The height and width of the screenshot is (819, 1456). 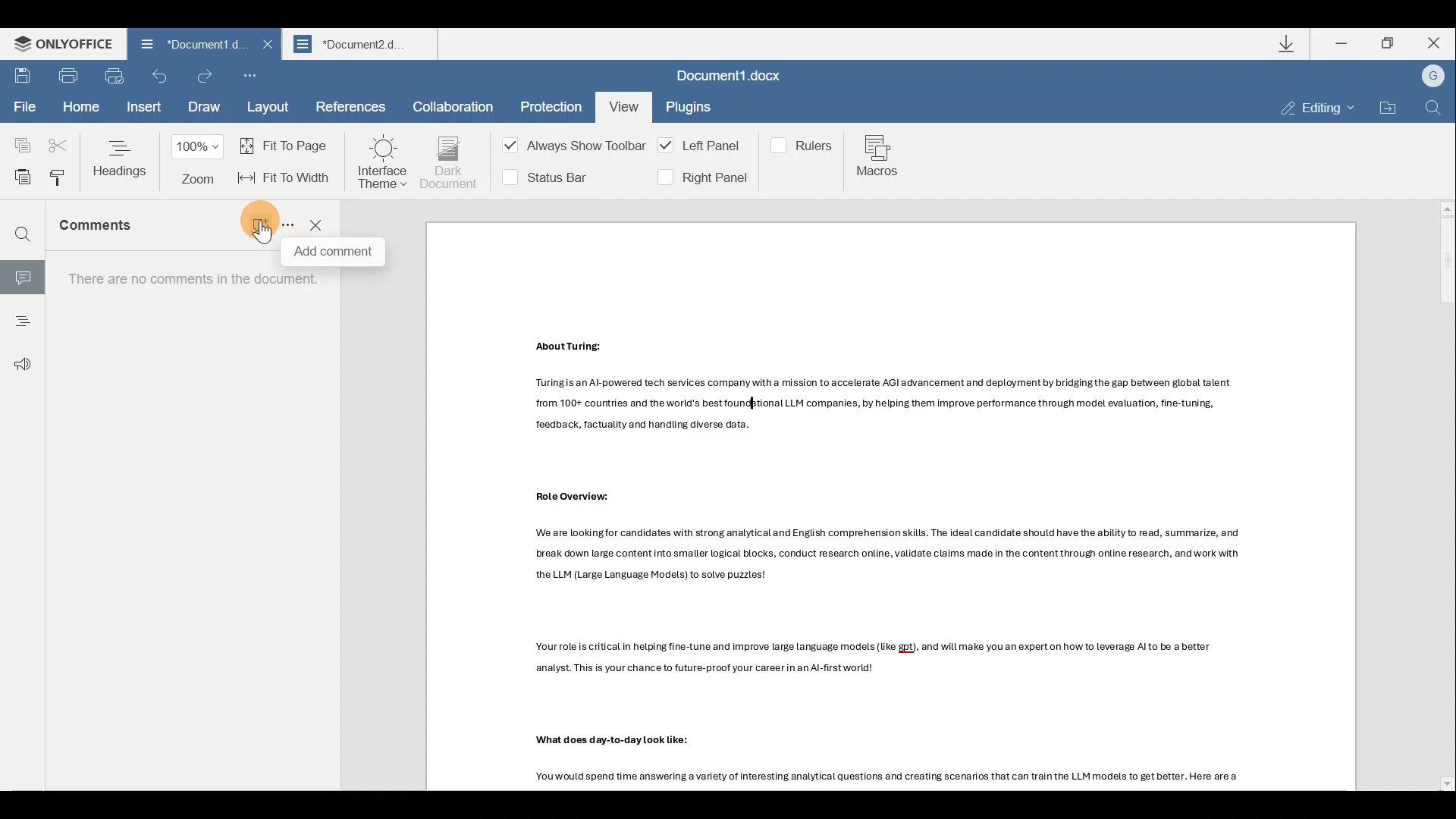 What do you see at coordinates (1432, 77) in the screenshot?
I see `Account name` at bounding box center [1432, 77].